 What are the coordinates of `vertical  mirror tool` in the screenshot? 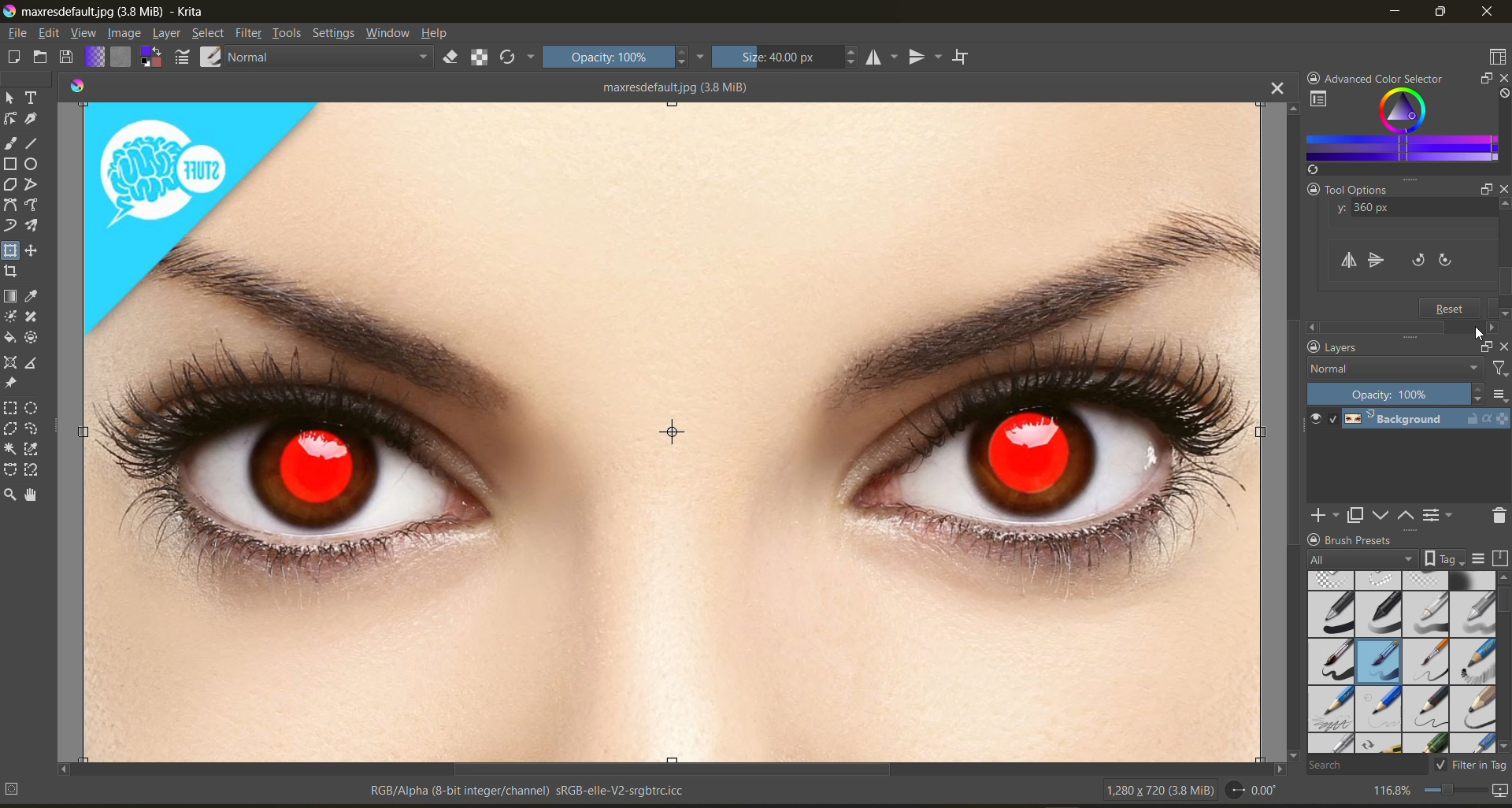 It's located at (927, 55).